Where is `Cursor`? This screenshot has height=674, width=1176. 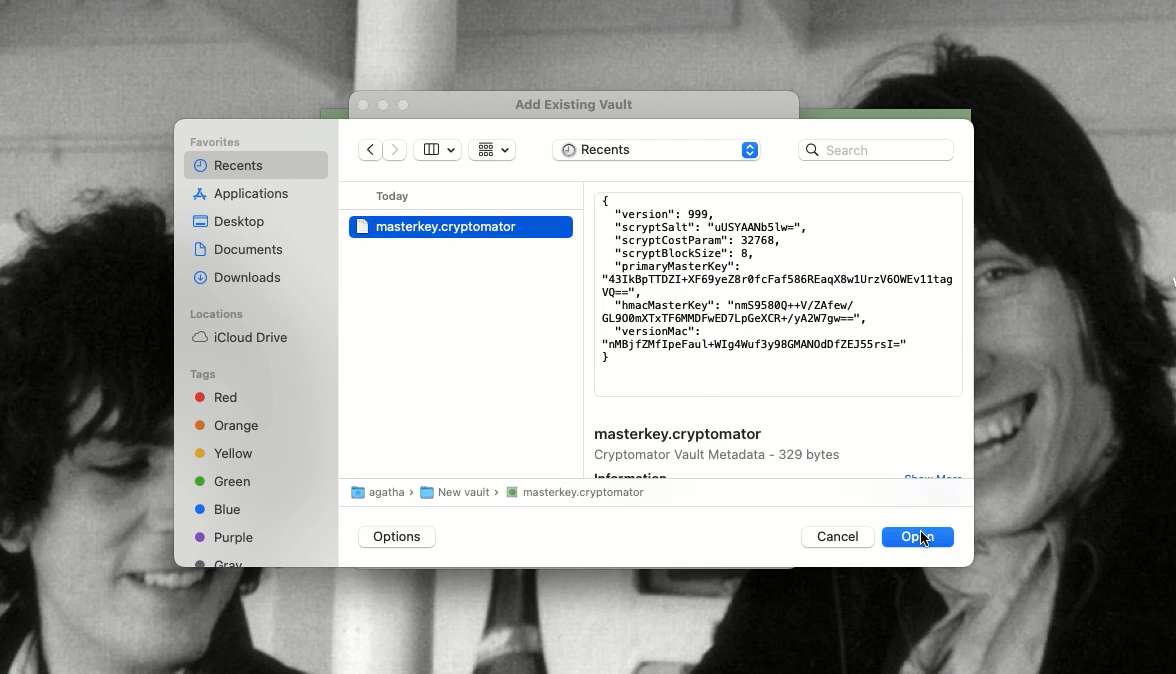
Cursor is located at coordinates (925, 539).